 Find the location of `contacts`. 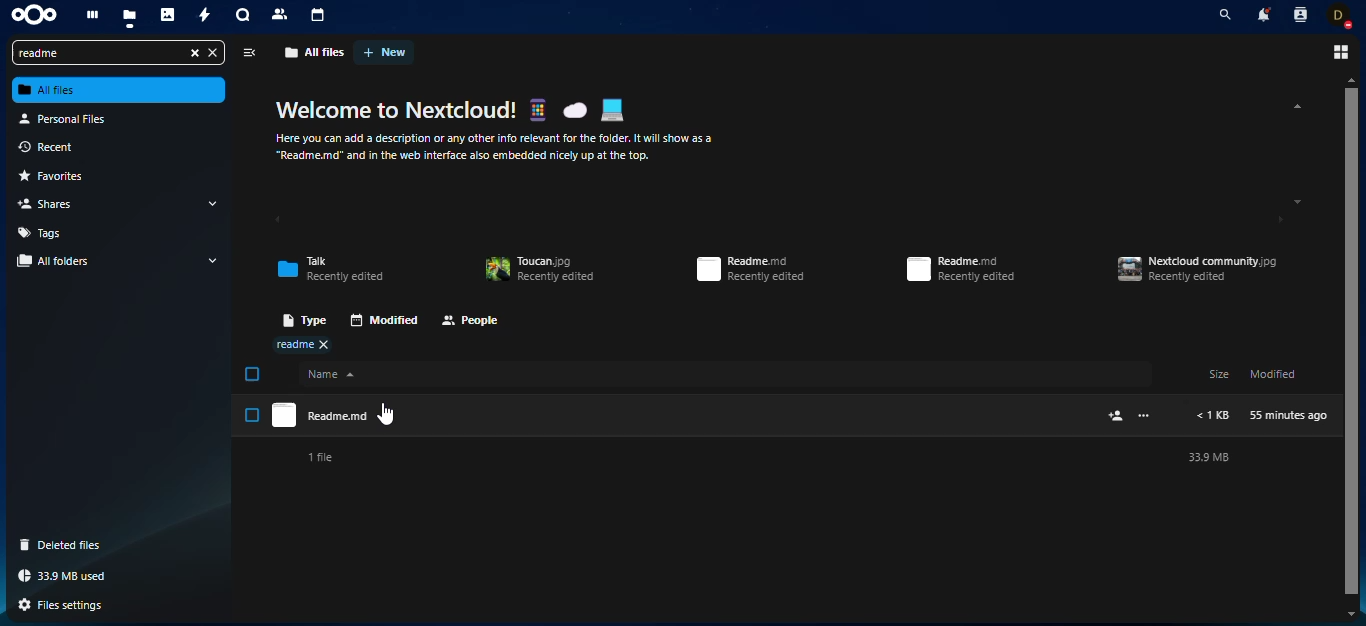

contacts is located at coordinates (1299, 14).